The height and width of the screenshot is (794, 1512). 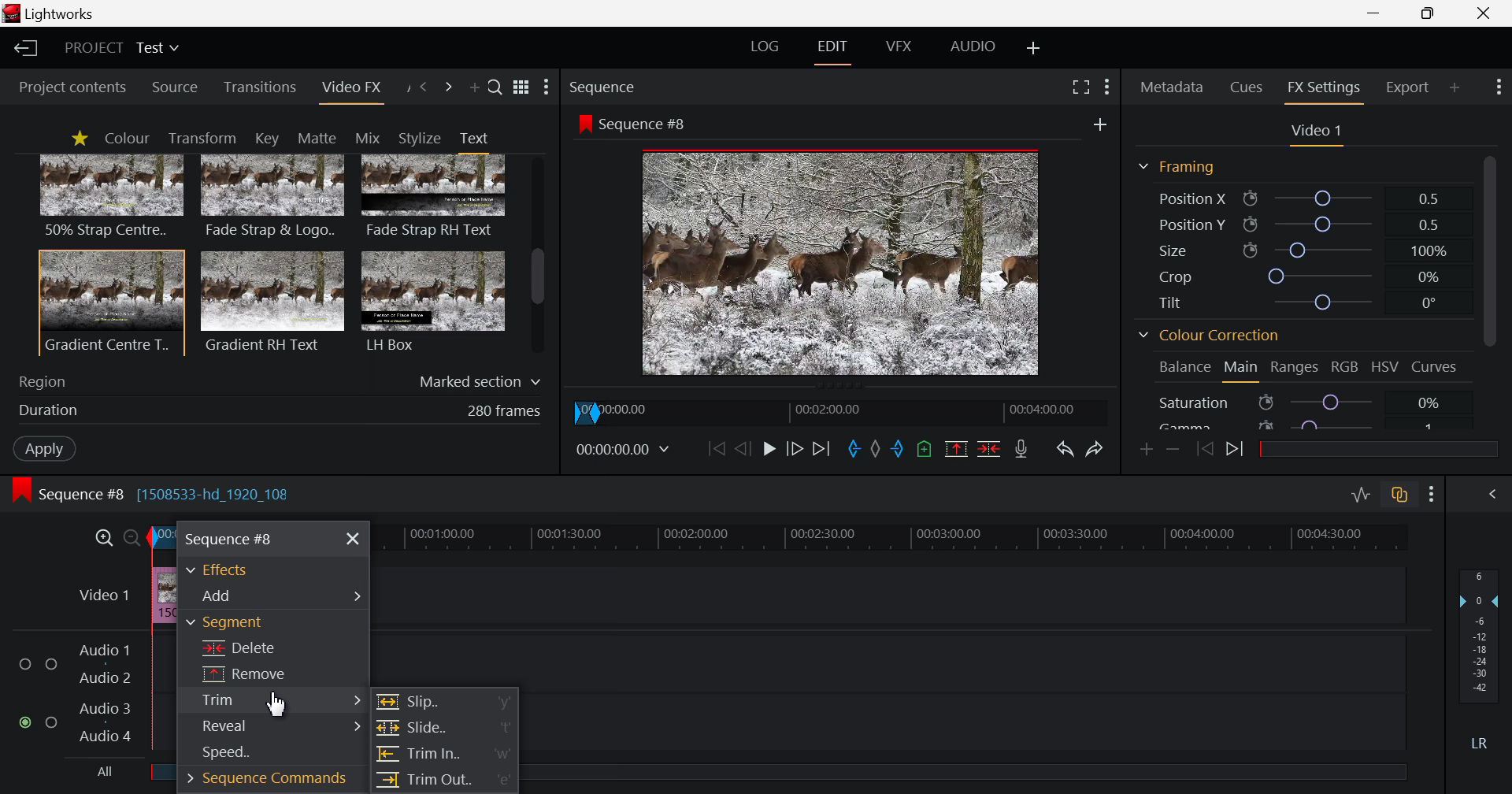 I want to click on Cursor, so click(x=280, y=707).